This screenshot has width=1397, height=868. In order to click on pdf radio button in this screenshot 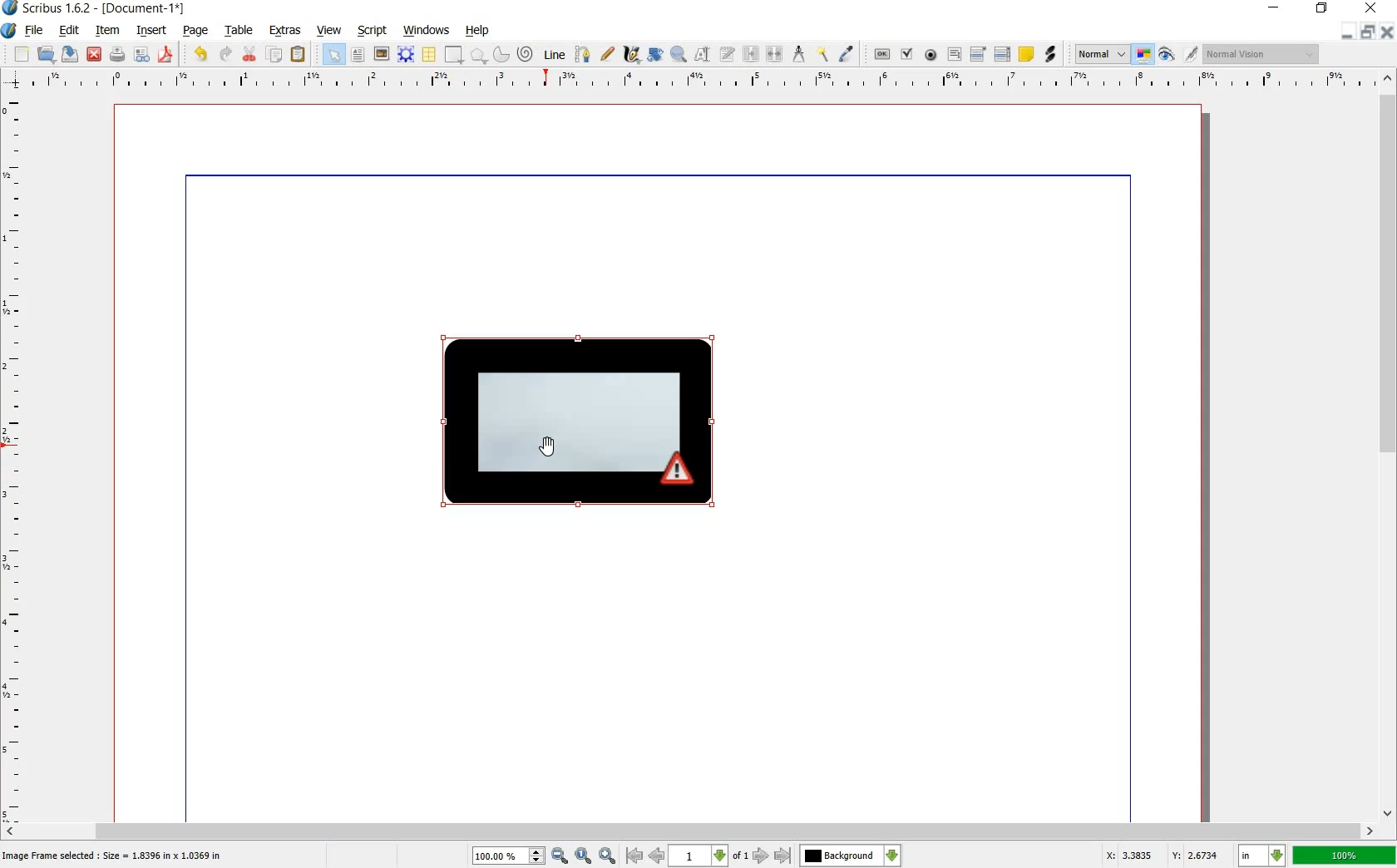, I will do `click(932, 55)`.